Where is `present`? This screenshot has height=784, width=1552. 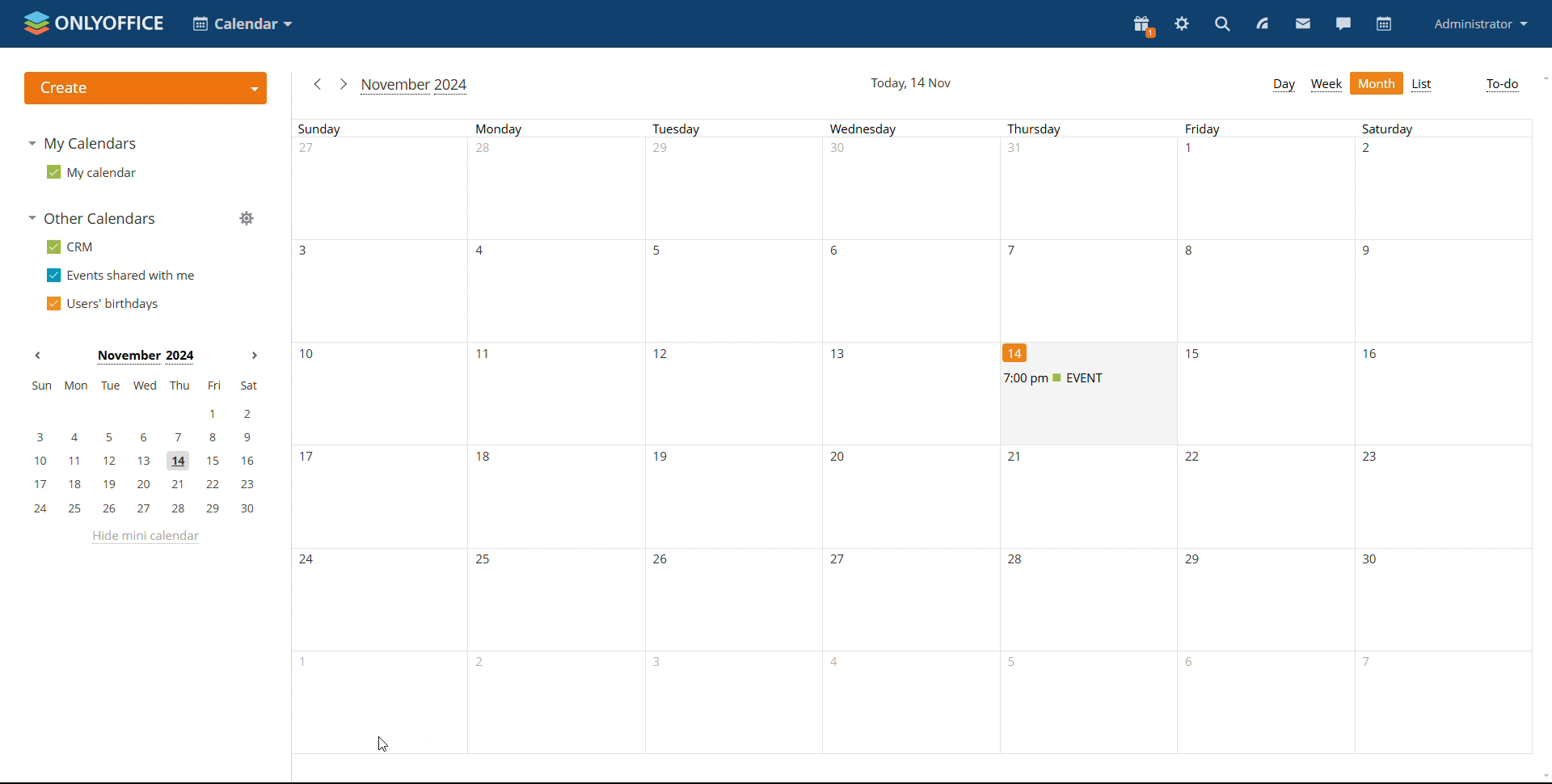 present is located at coordinates (1141, 27).